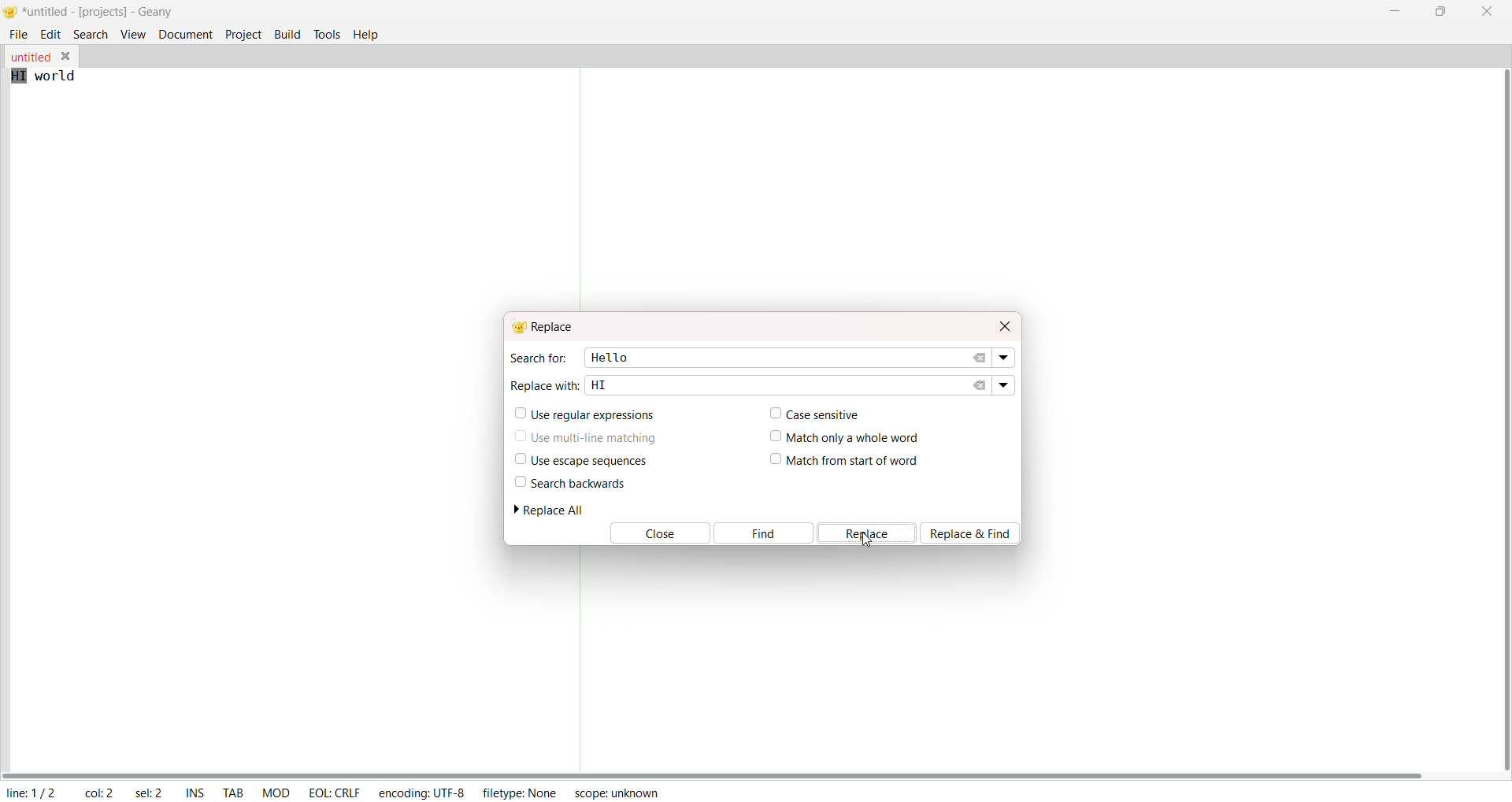  What do you see at coordinates (1487, 11) in the screenshot?
I see `close` at bounding box center [1487, 11].